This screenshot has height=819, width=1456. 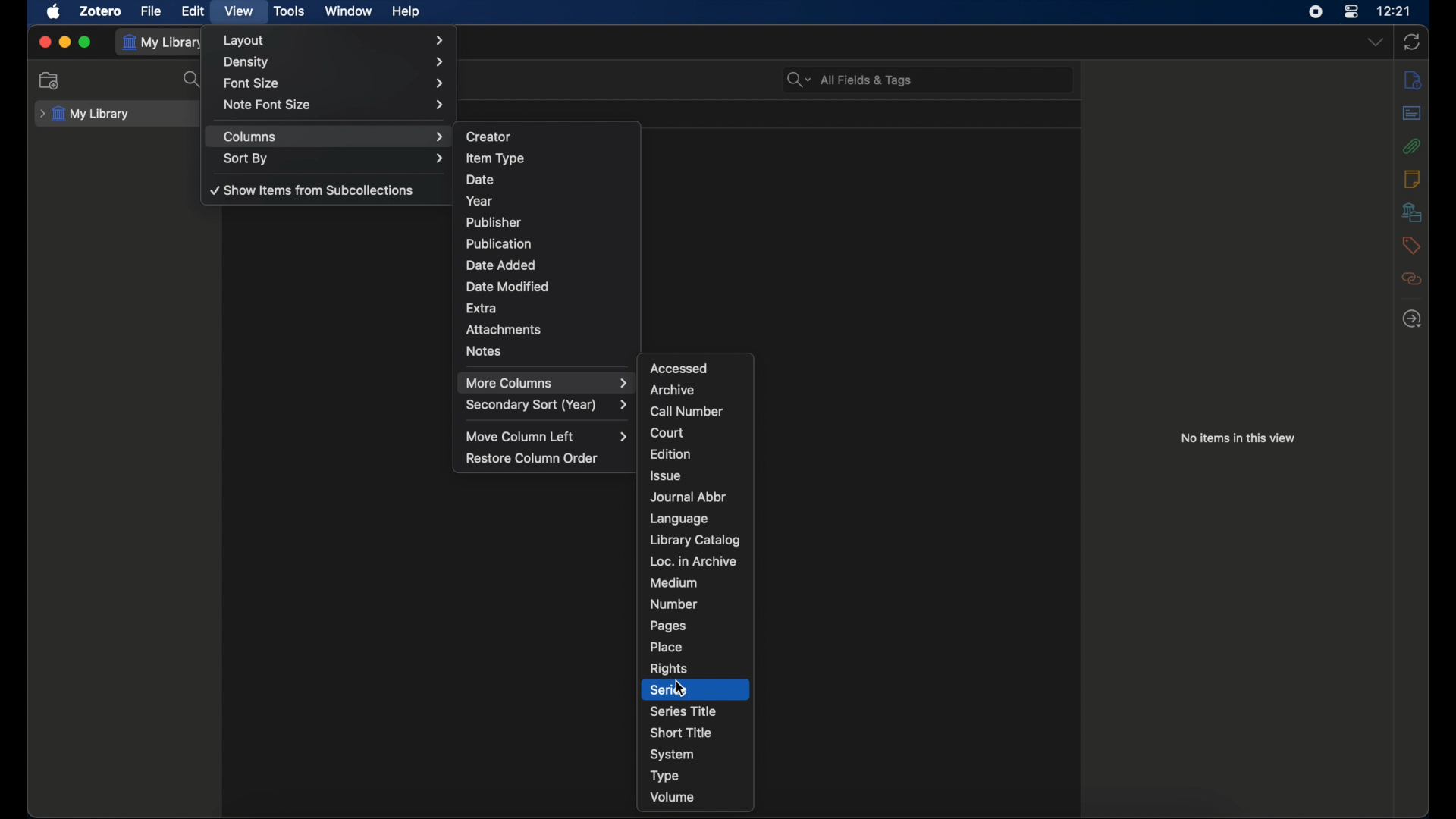 I want to click on libraries, so click(x=1412, y=212).